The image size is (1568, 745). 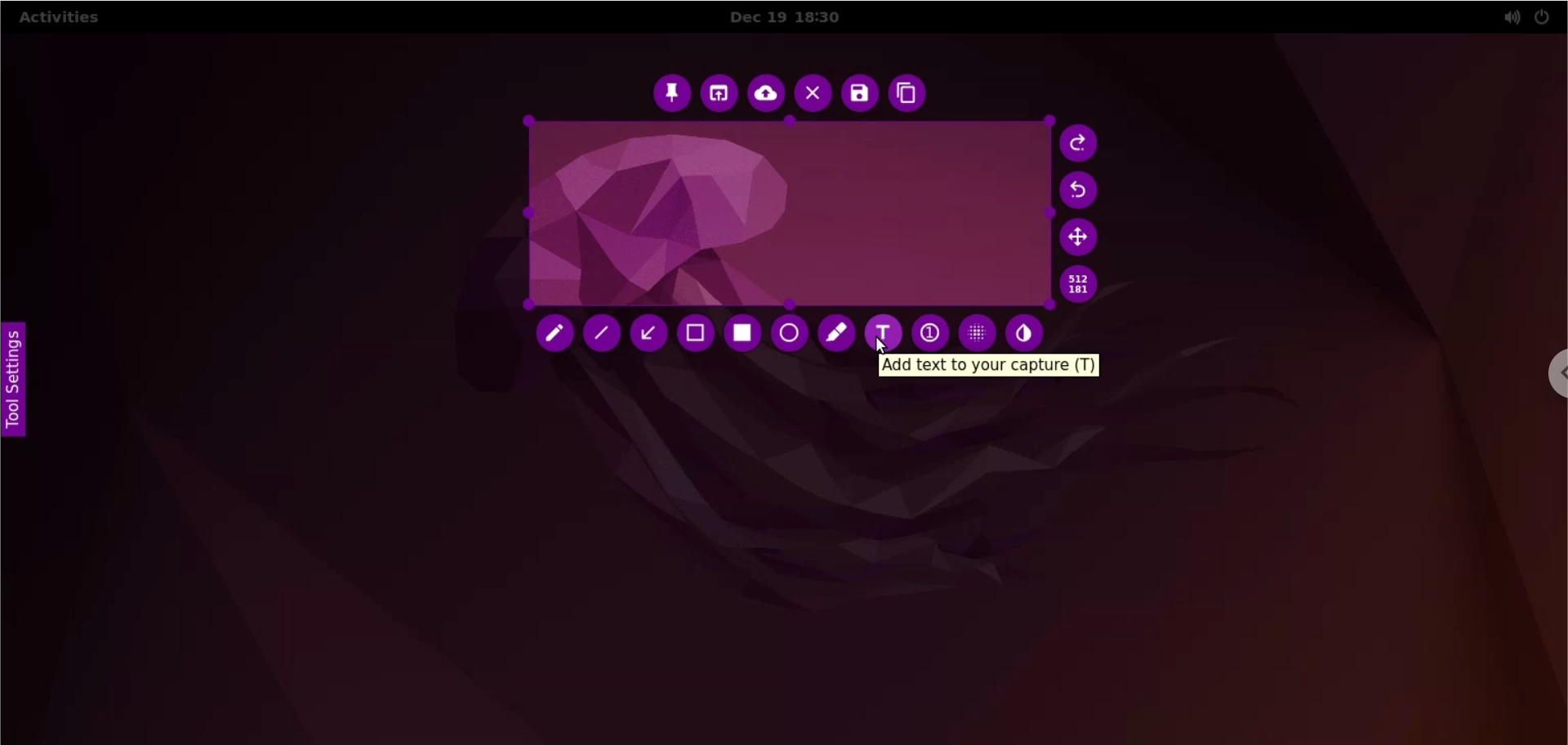 I want to click on chrome options, so click(x=1552, y=373).